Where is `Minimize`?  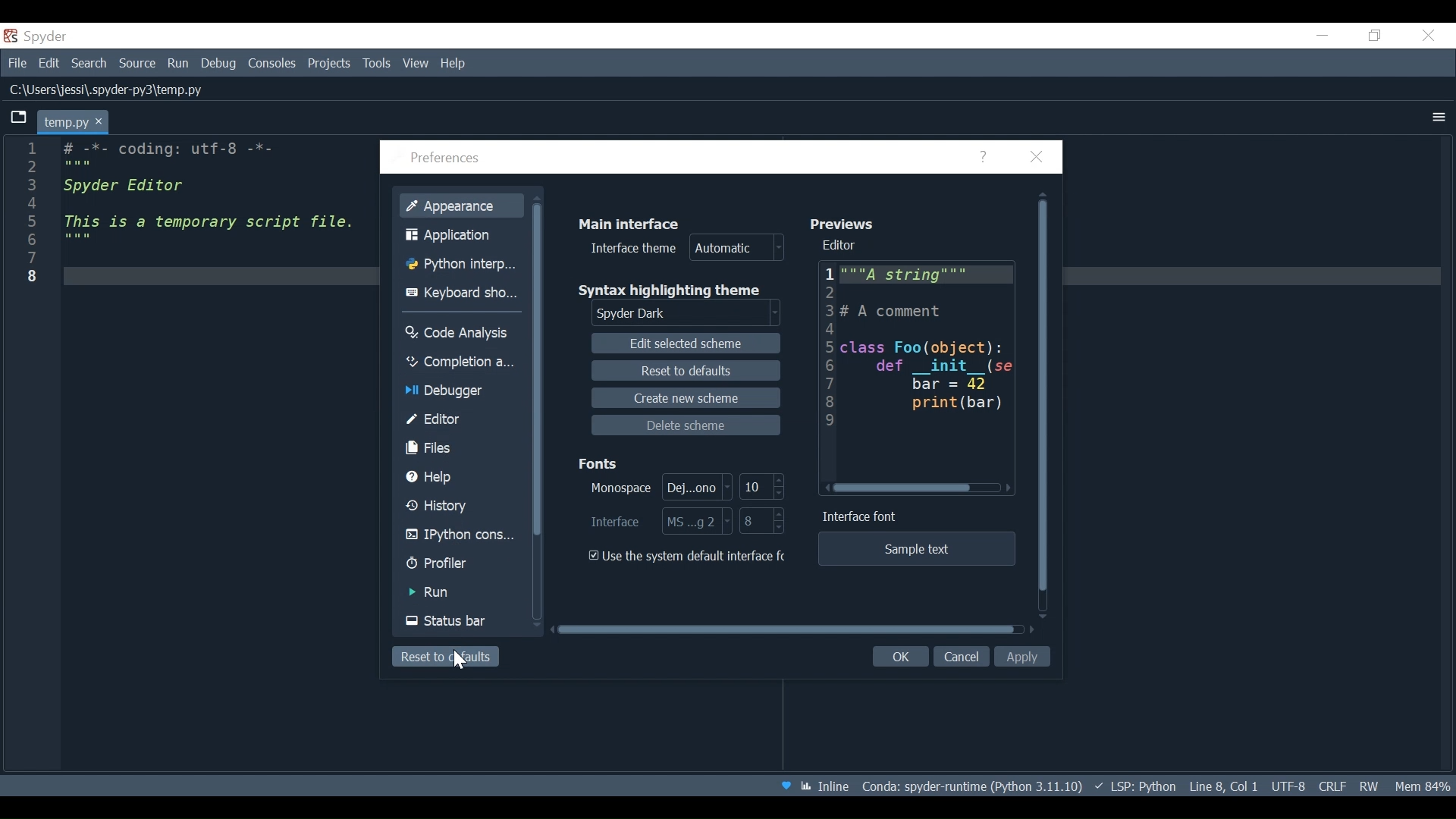 Minimize is located at coordinates (1323, 35).